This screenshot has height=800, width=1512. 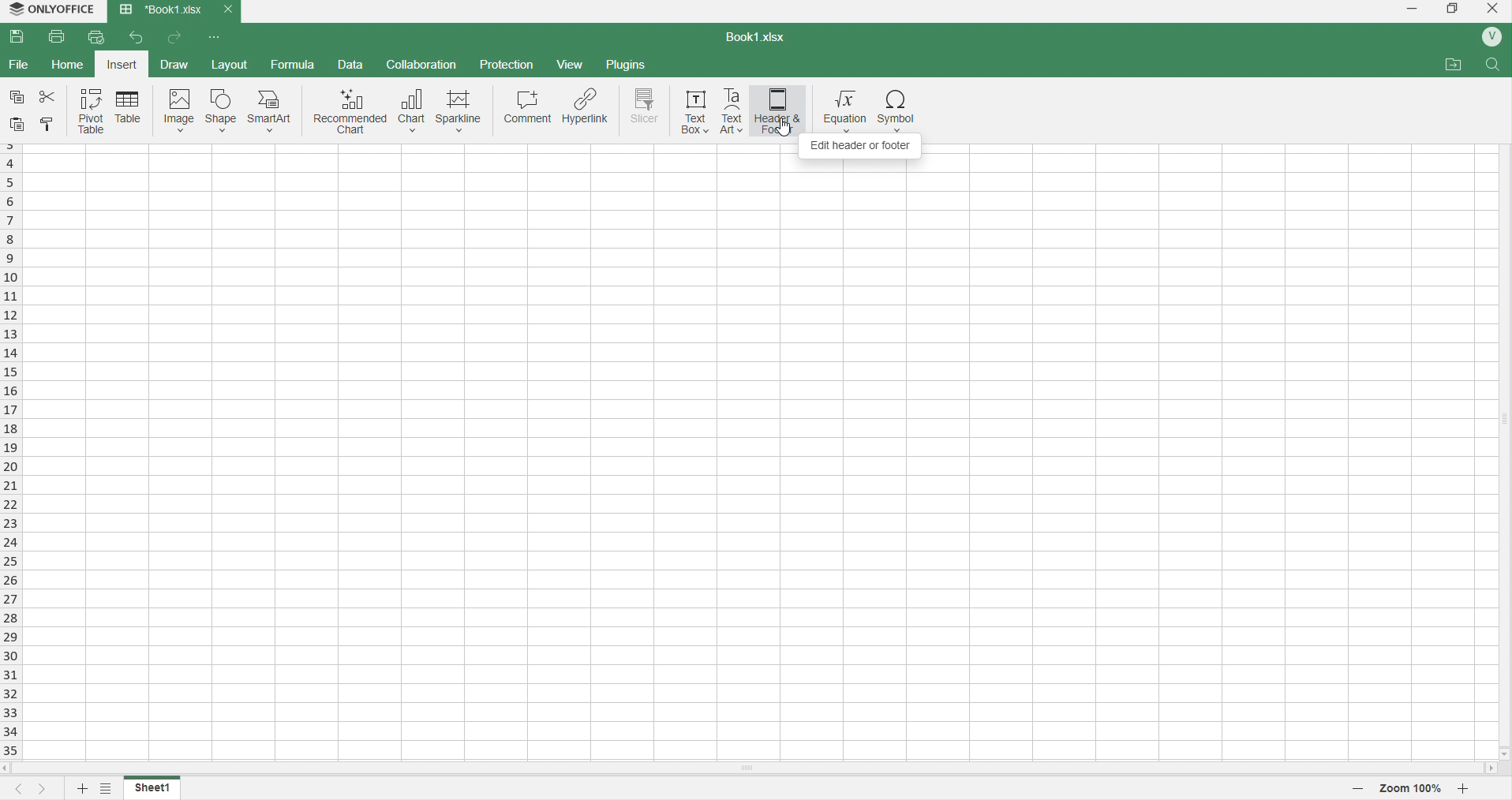 I want to click on image, so click(x=176, y=111).